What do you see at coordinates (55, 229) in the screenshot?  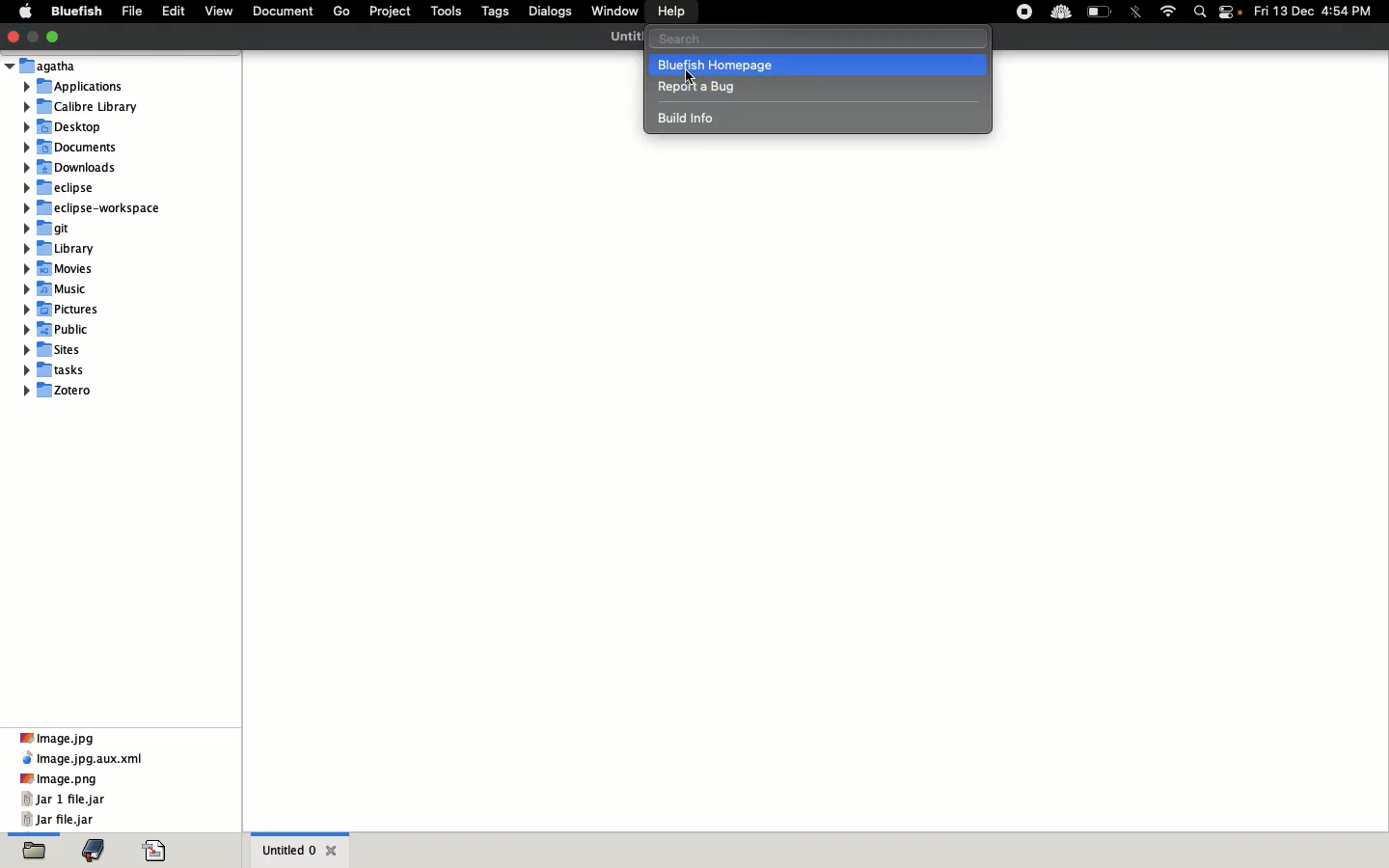 I see `git` at bounding box center [55, 229].